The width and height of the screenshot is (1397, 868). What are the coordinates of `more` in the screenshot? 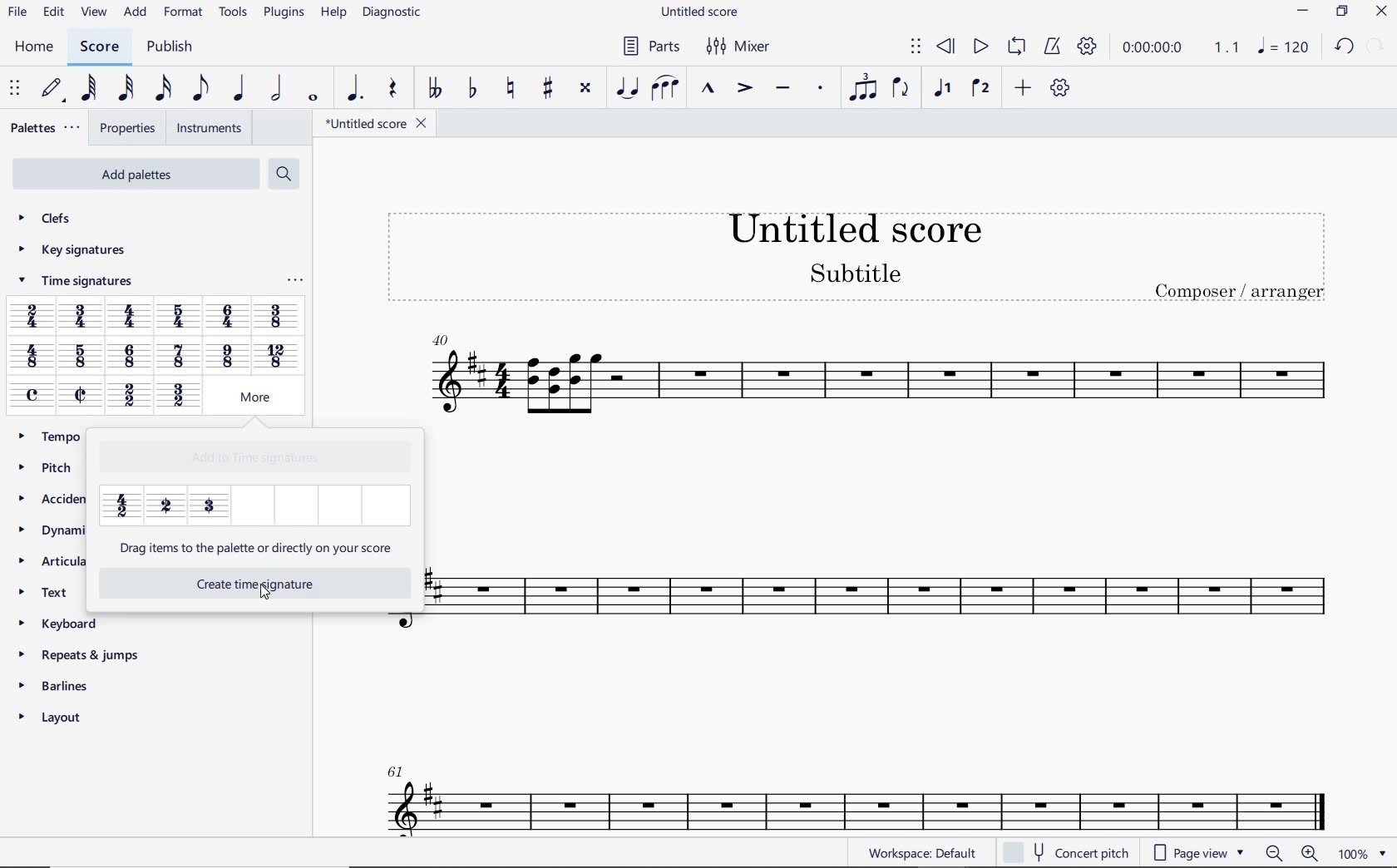 It's located at (248, 397).